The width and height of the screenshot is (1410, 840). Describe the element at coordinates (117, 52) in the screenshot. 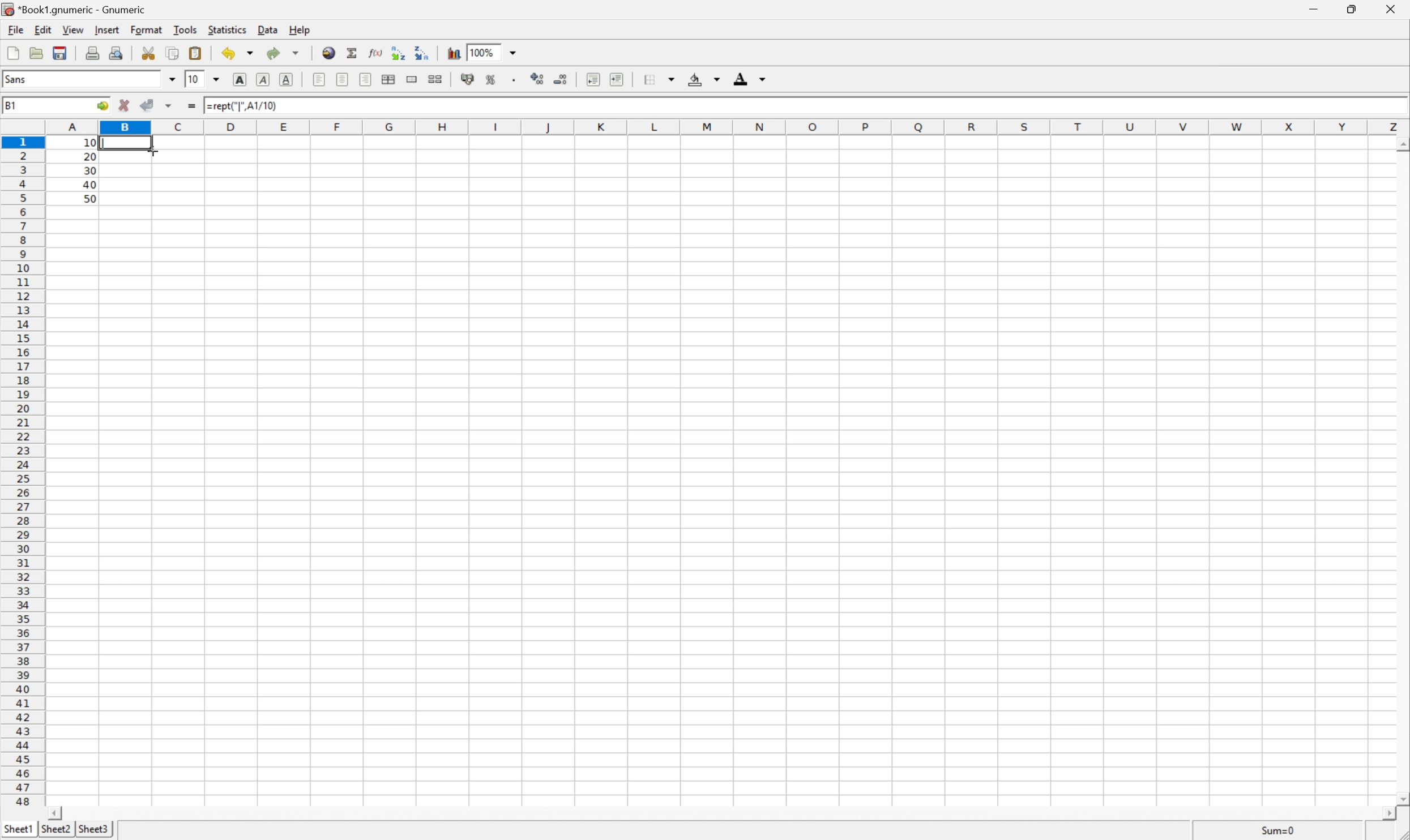

I see `Print preview` at that location.